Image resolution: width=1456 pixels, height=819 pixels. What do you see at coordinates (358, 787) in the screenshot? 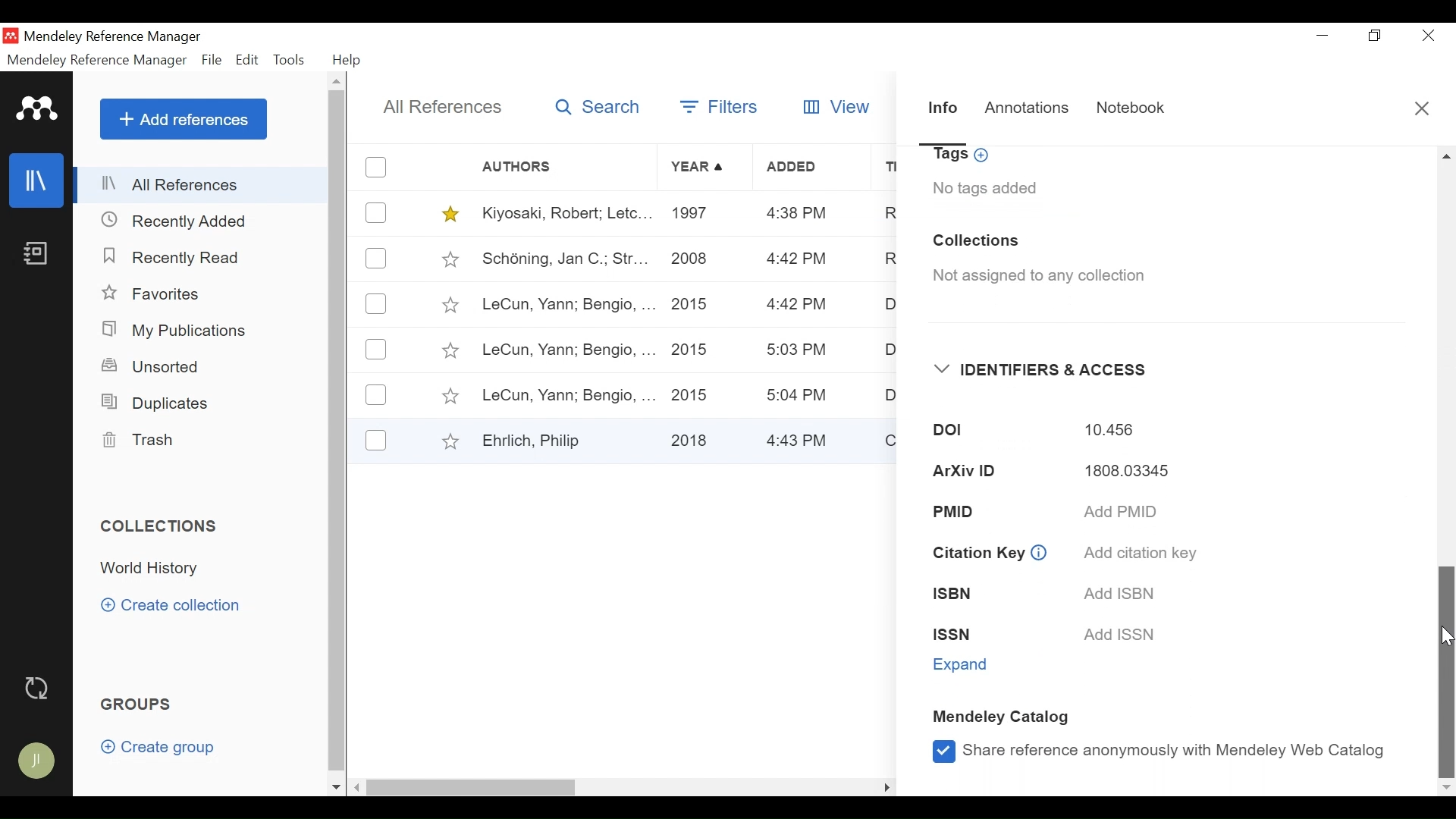
I see `scroll left` at bounding box center [358, 787].